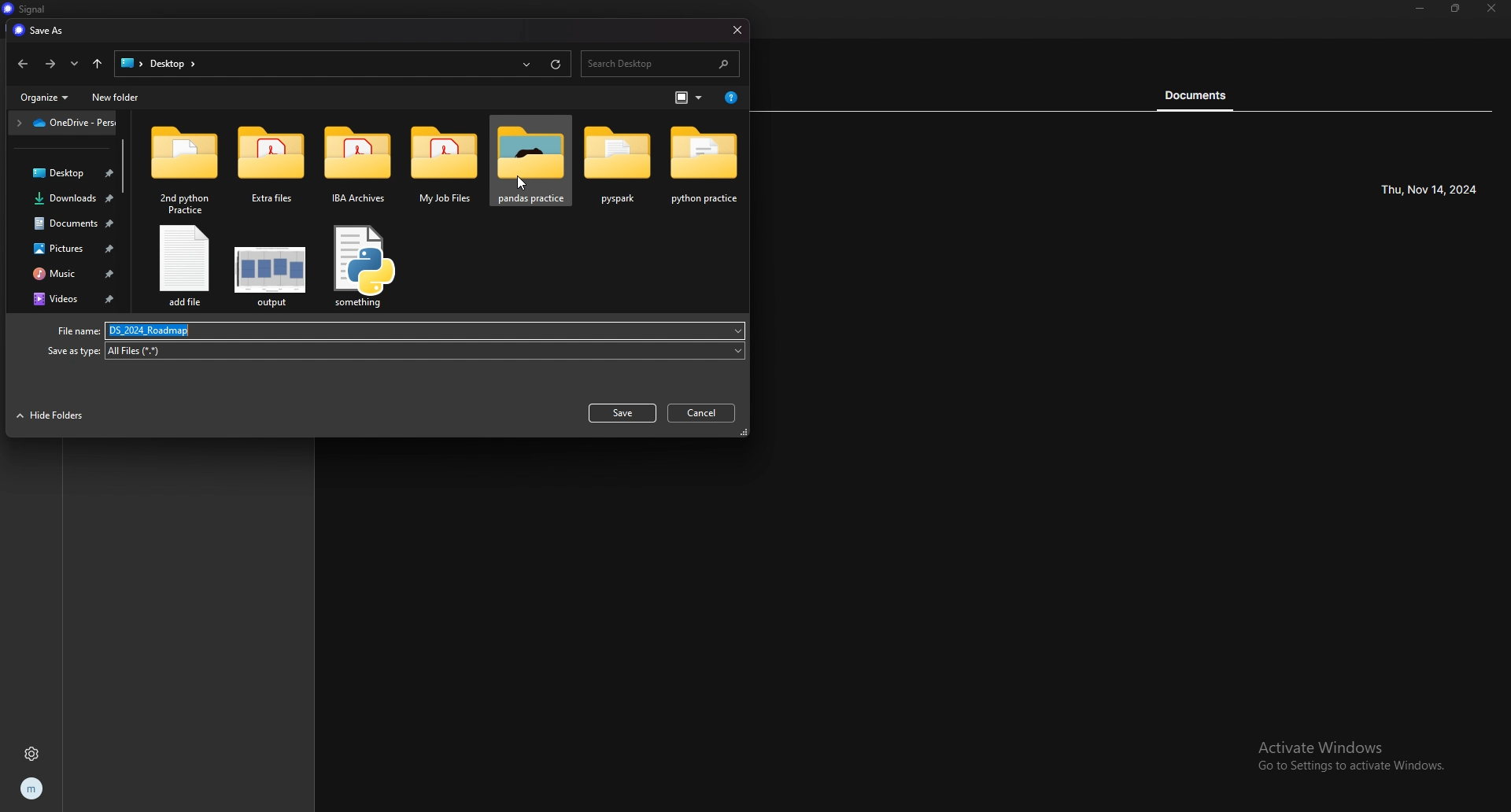  I want to click on profile, so click(33, 789).